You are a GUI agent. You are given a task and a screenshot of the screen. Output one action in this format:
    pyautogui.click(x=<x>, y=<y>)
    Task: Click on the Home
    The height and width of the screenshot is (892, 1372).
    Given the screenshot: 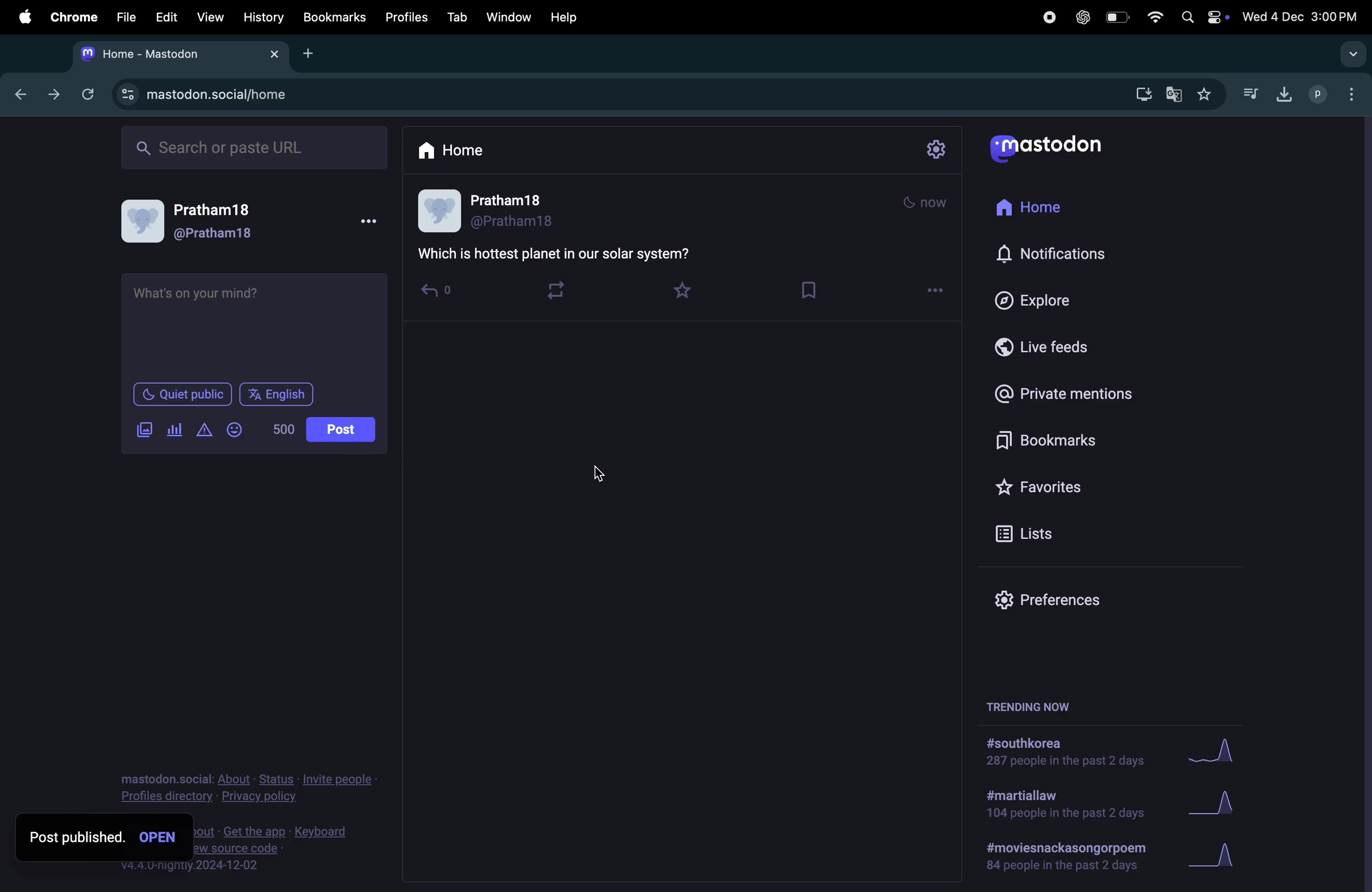 What is the action you would take?
    pyautogui.click(x=1044, y=209)
    